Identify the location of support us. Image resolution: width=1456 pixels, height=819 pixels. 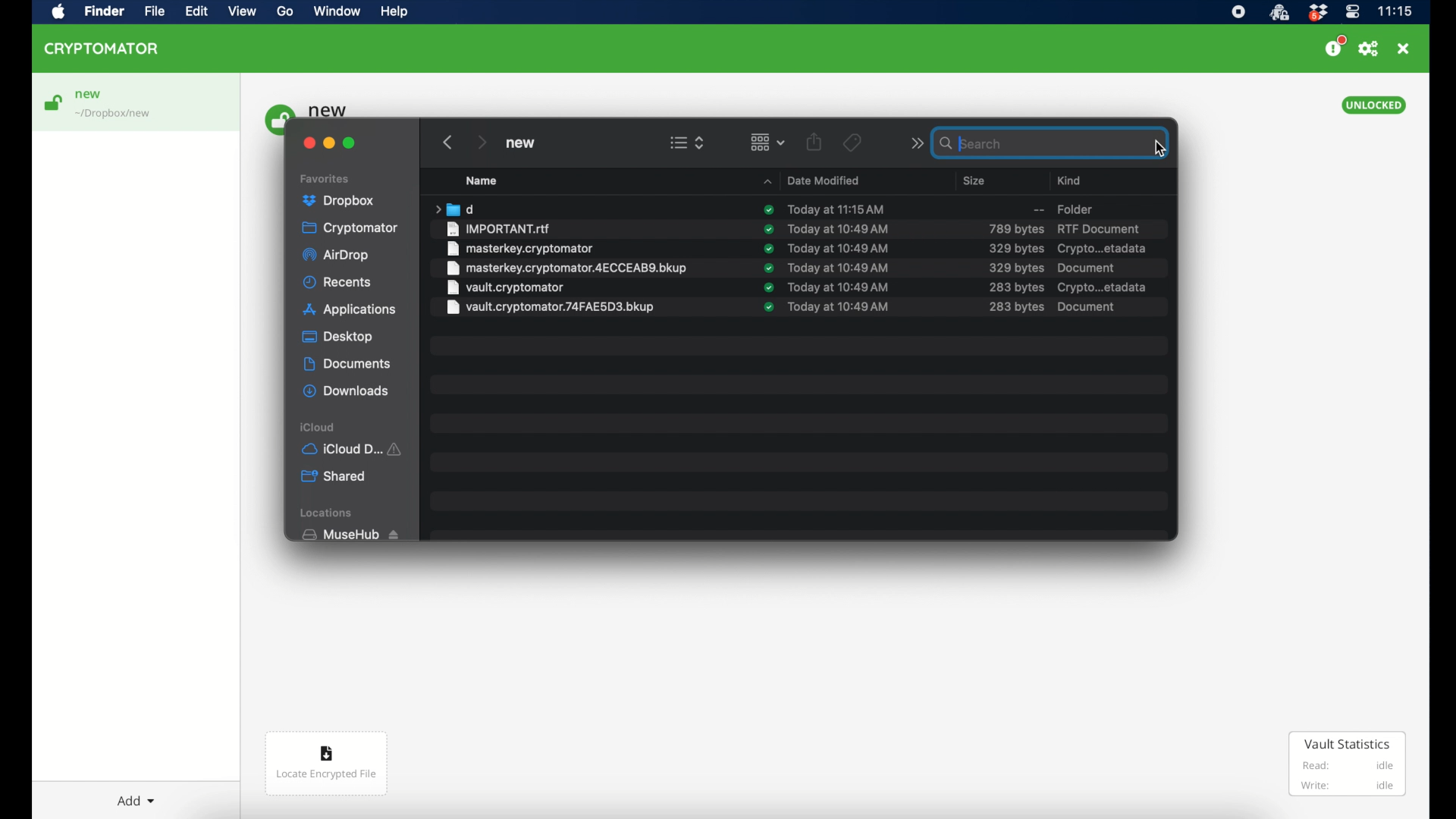
(1335, 46).